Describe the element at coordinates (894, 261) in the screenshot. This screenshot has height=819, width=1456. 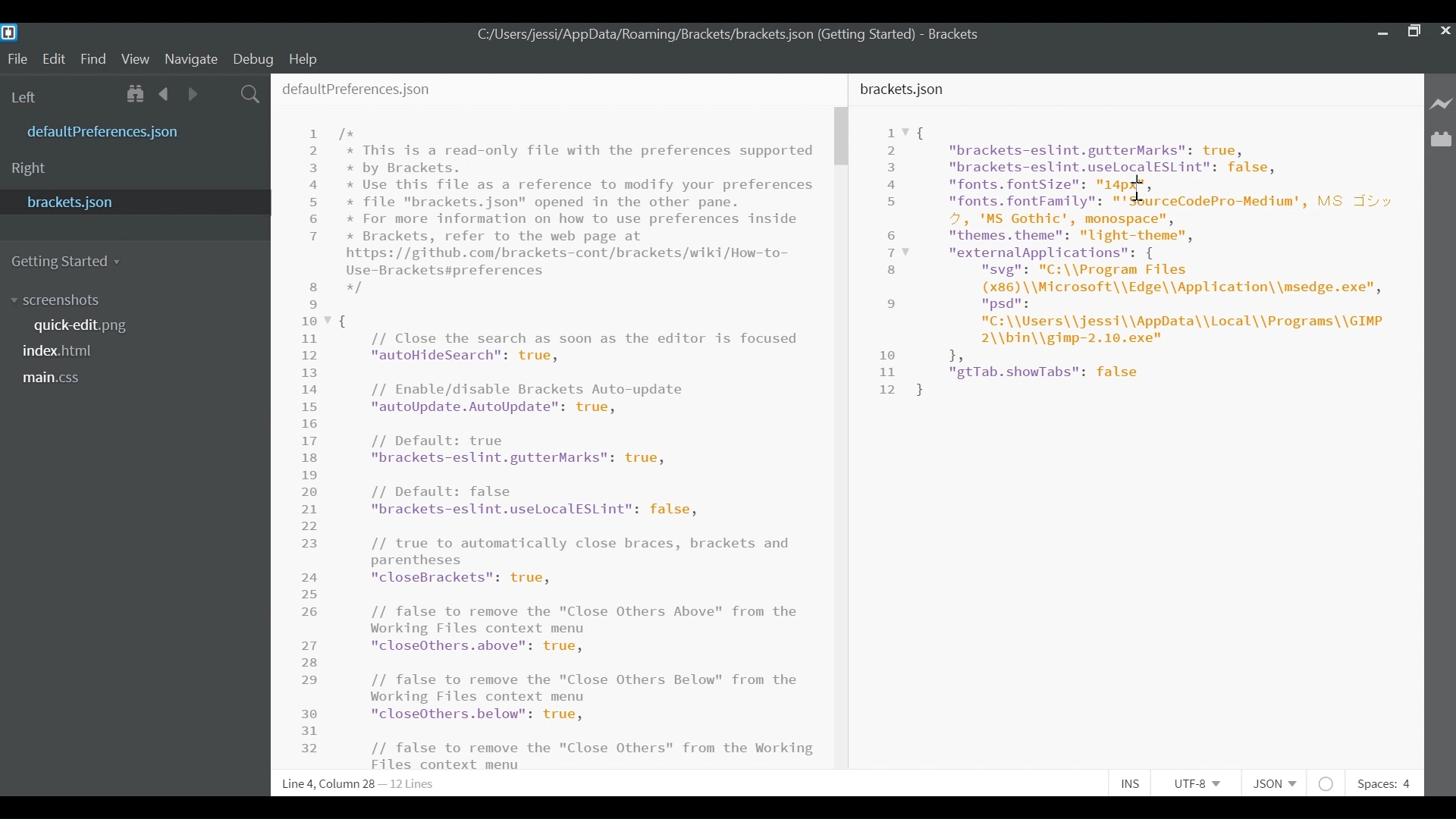
I see `Line Number` at that location.